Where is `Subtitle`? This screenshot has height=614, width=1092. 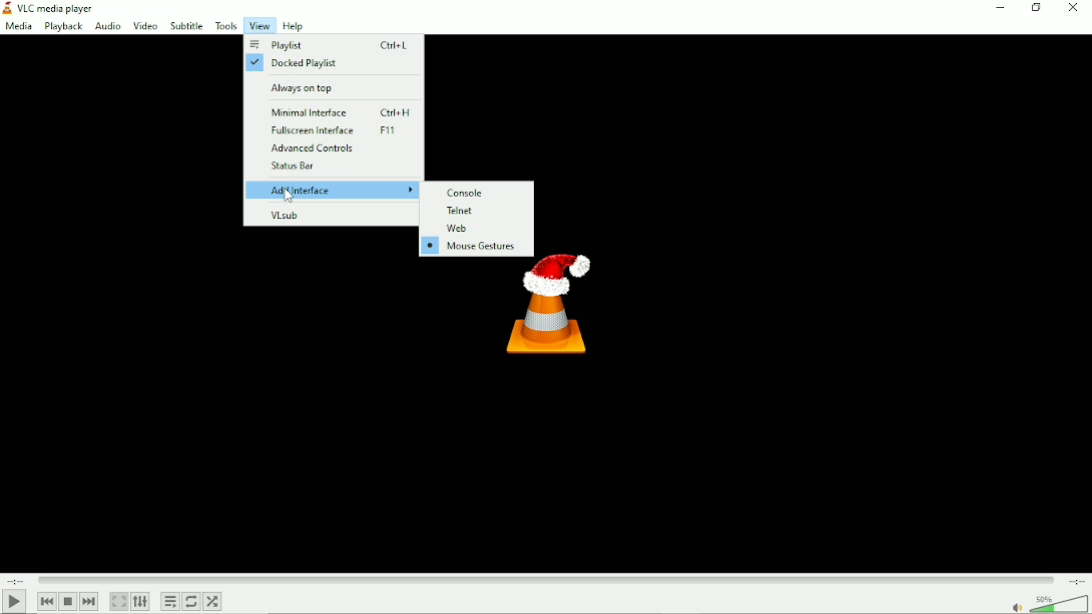
Subtitle is located at coordinates (186, 26).